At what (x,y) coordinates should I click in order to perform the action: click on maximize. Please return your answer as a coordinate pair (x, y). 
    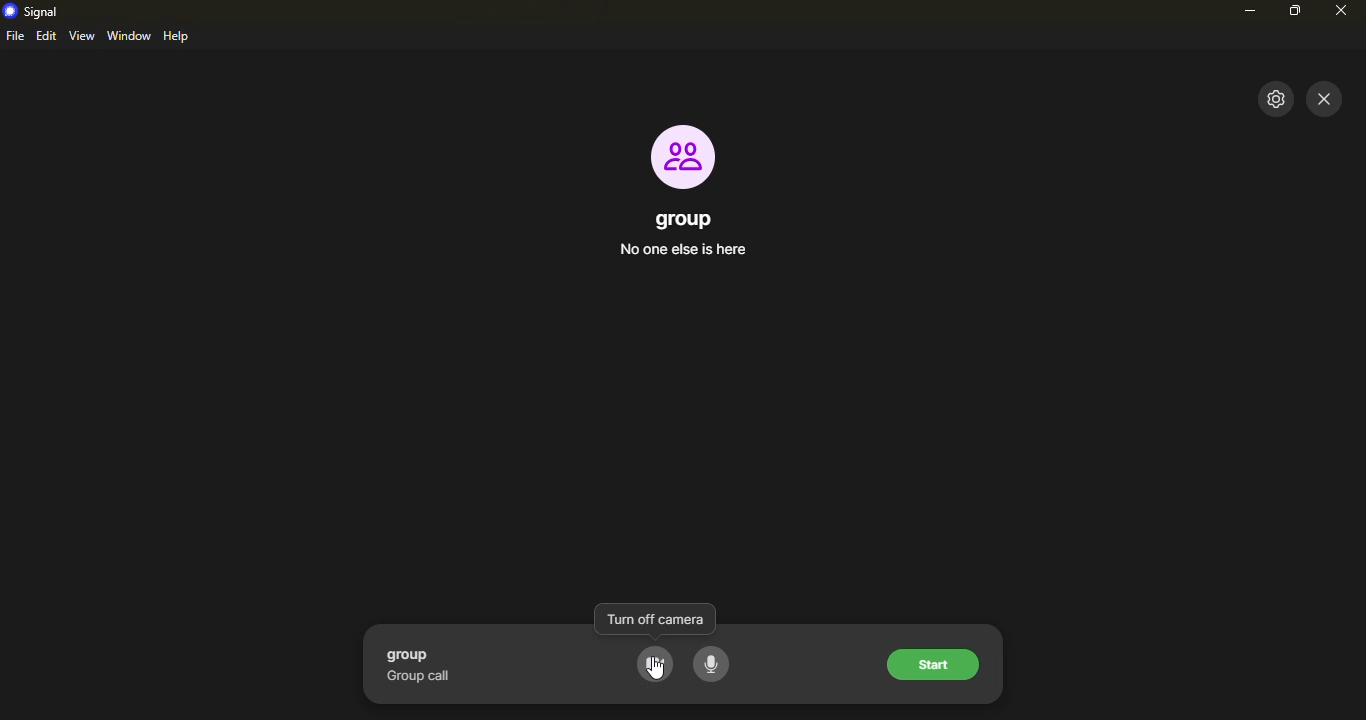
    Looking at the image, I should click on (1294, 9).